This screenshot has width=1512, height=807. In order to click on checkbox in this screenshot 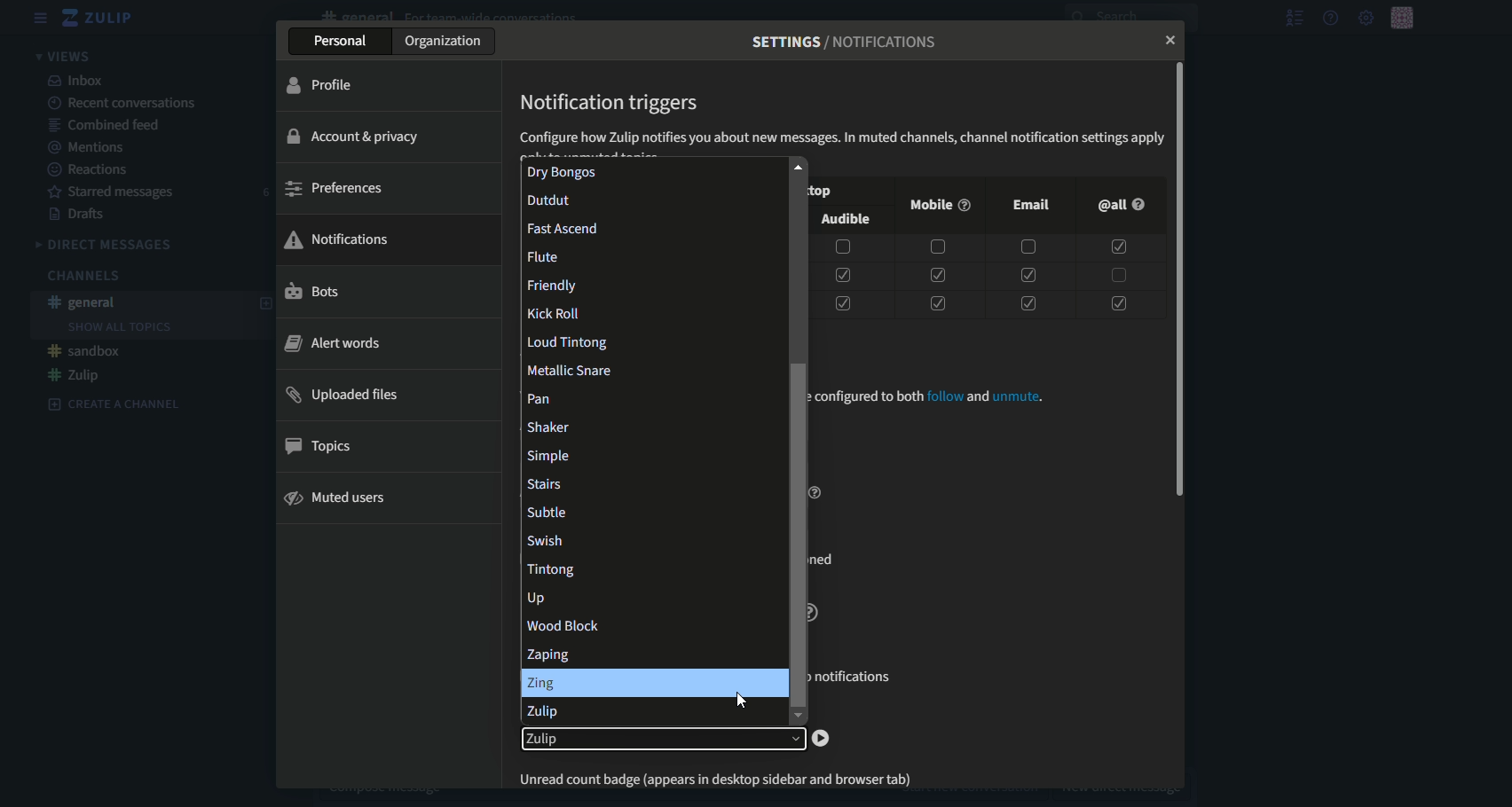, I will do `click(842, 303)`.